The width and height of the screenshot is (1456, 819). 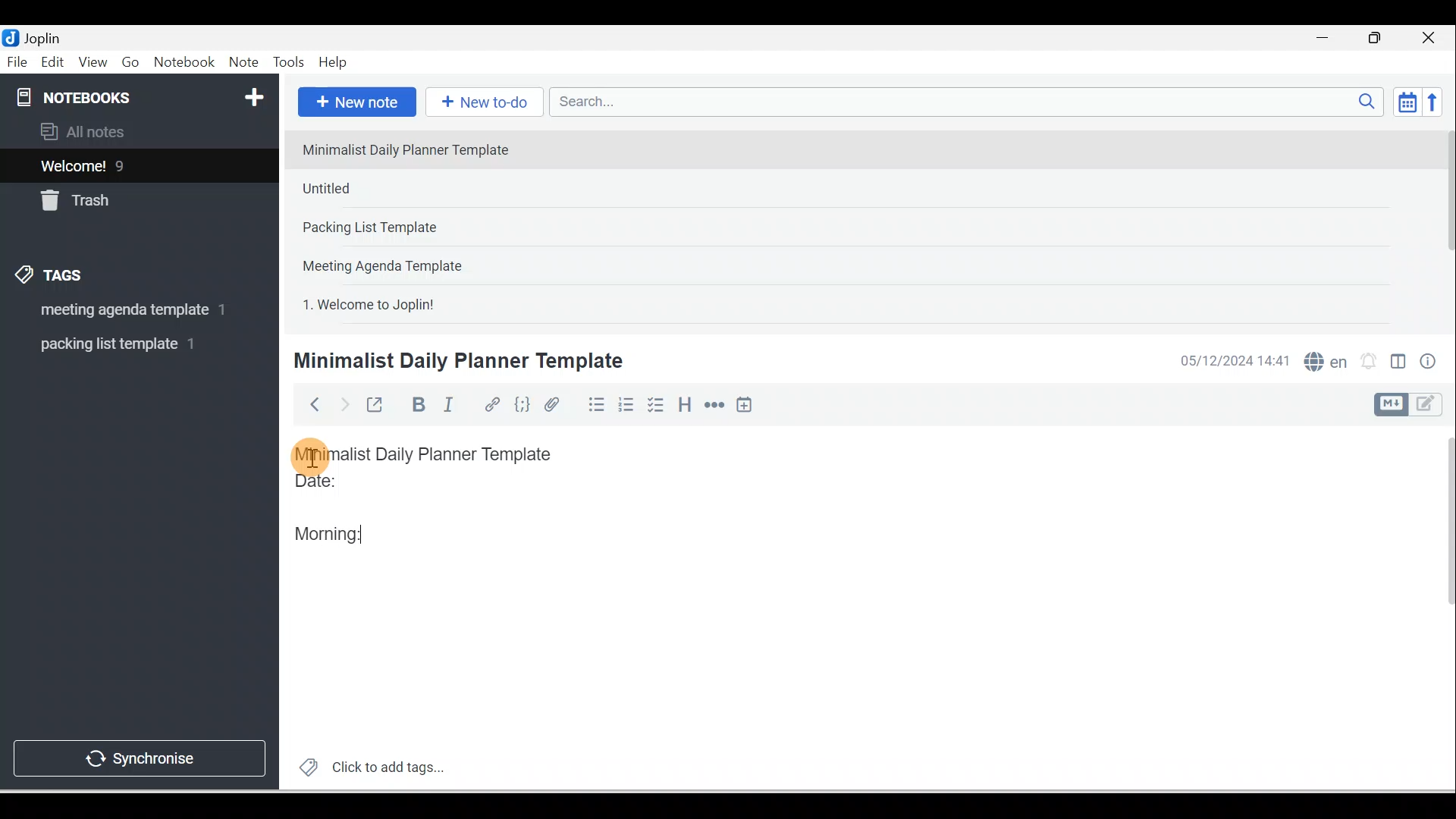 I want to click on Note 2, so click(x=401, y=188).